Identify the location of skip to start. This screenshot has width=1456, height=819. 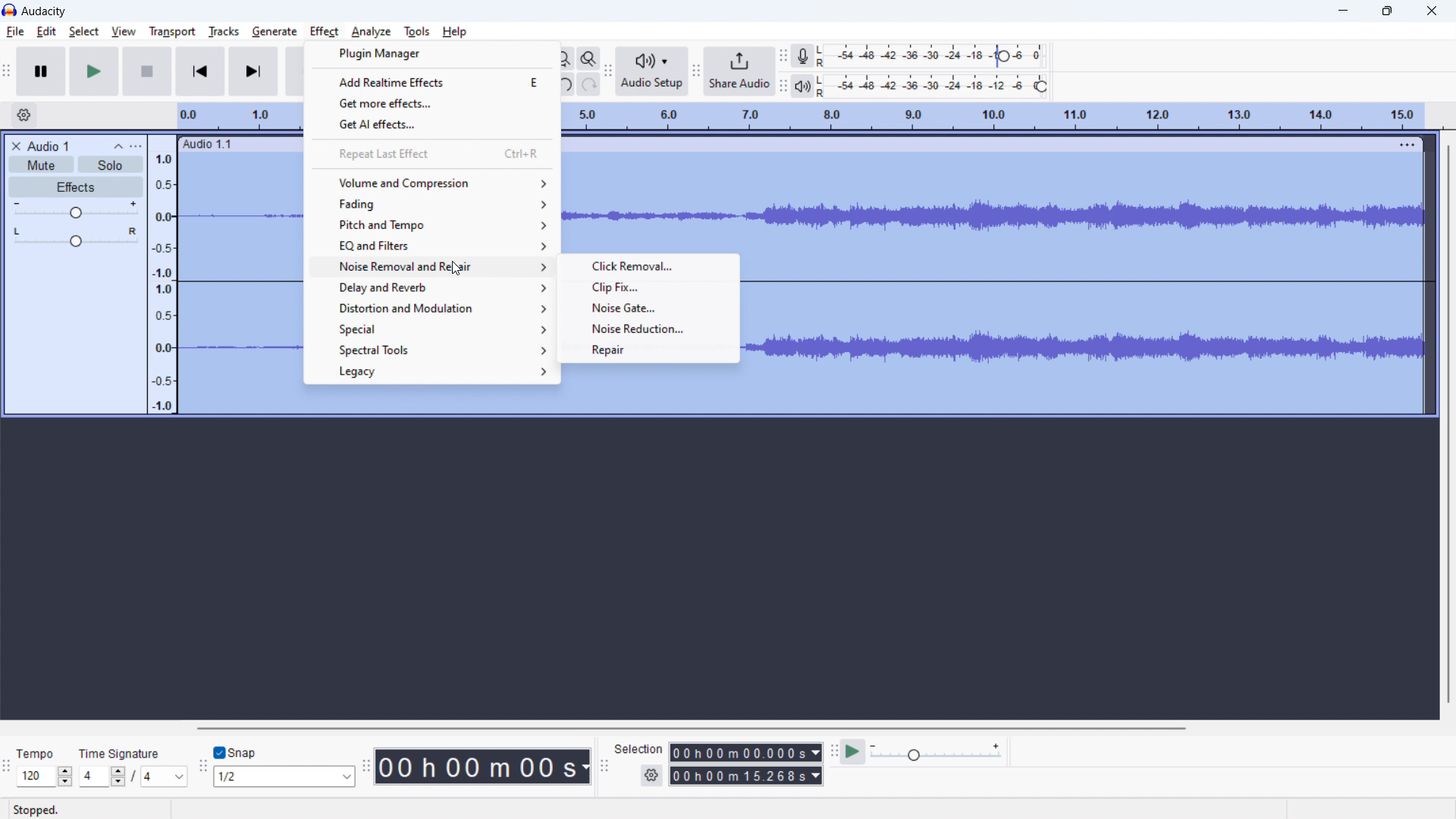
(199, 71).